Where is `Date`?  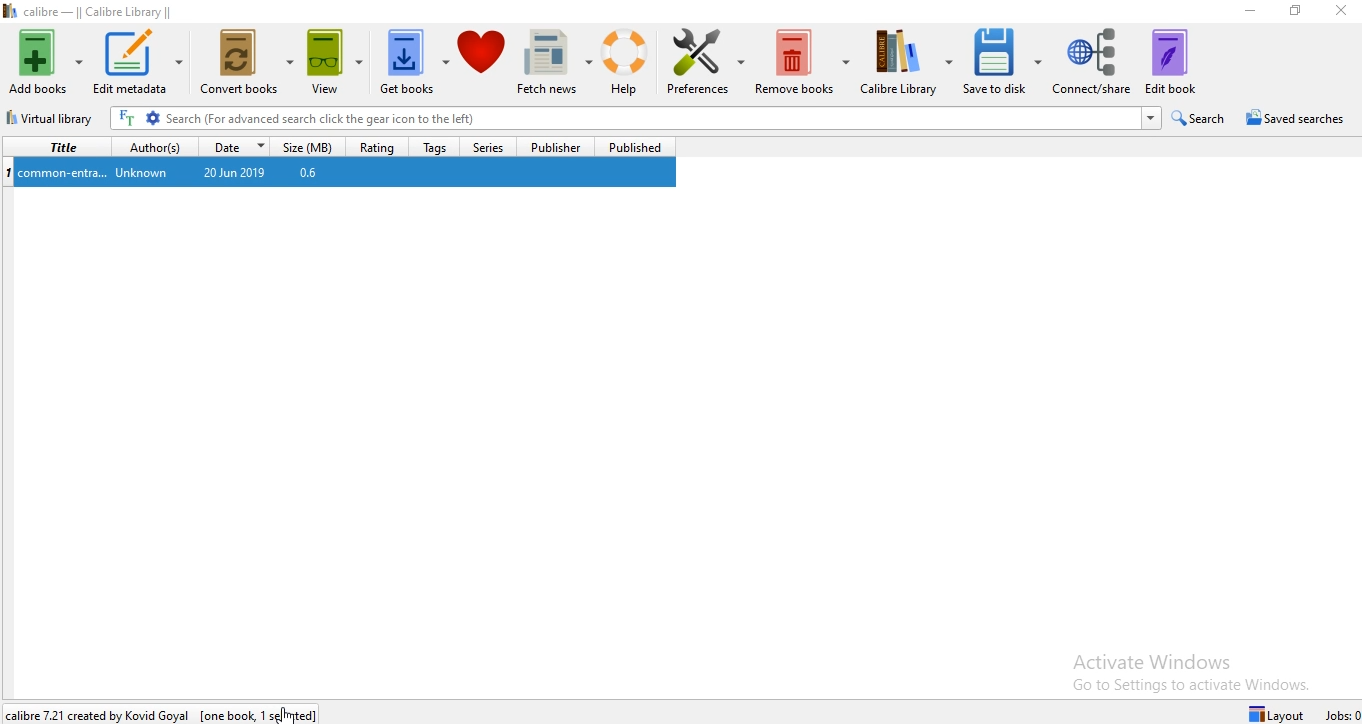 Date is located at coordinates (240, 146).